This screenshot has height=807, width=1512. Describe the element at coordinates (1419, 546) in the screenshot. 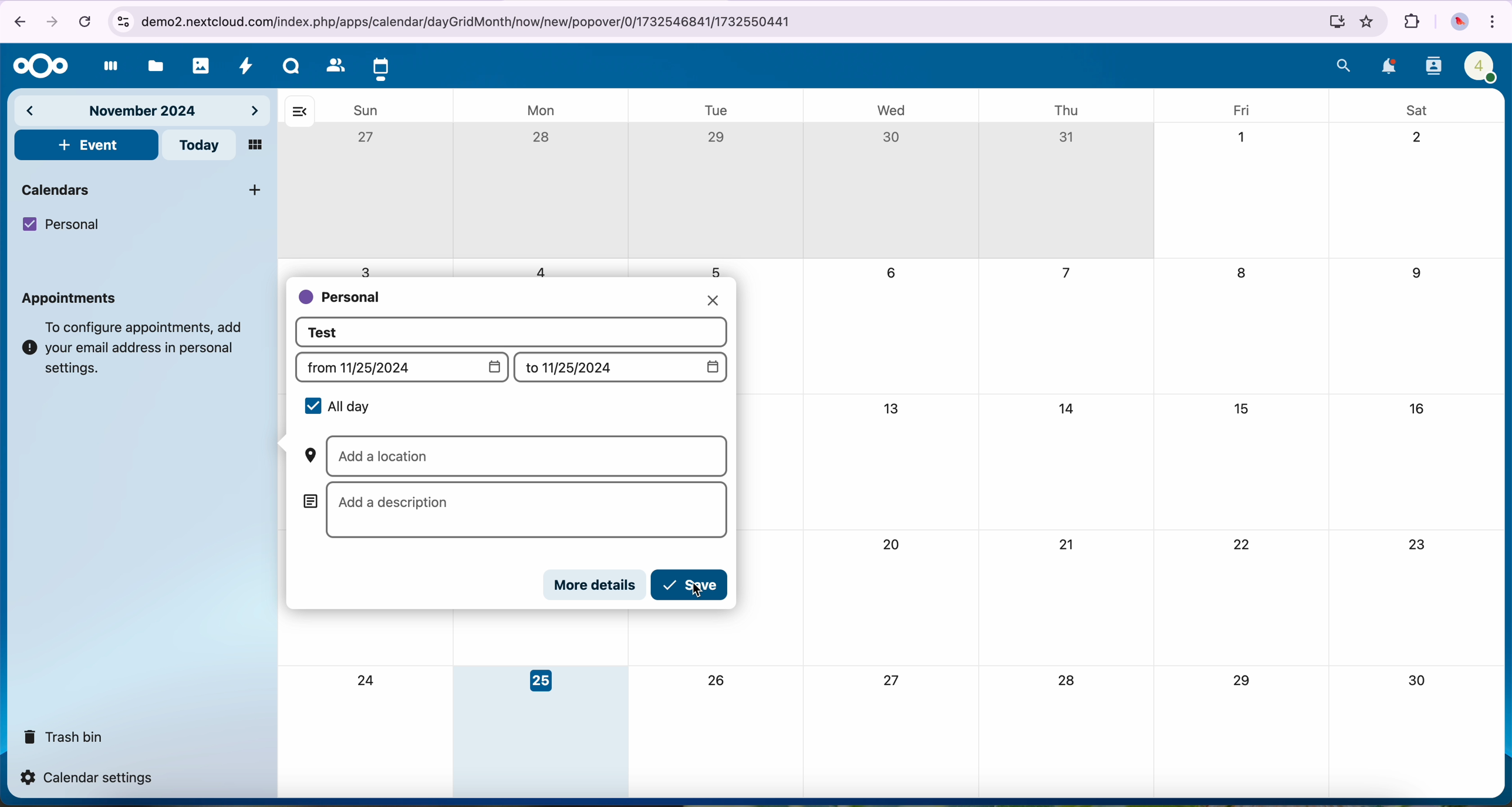

I see `23` at that location.